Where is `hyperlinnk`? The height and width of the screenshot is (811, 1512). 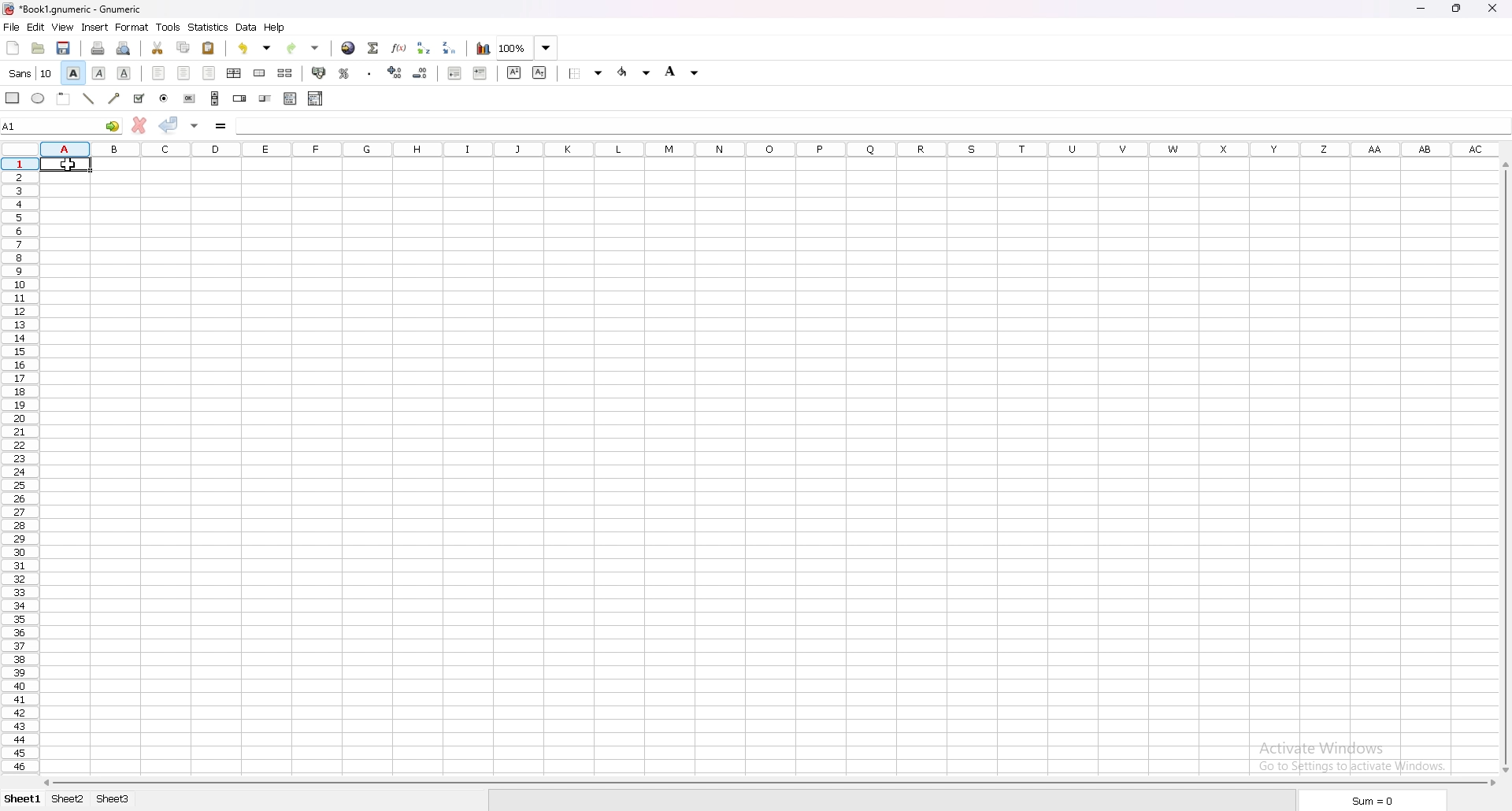
hyperlinnk is located at coordinates (349, 47).